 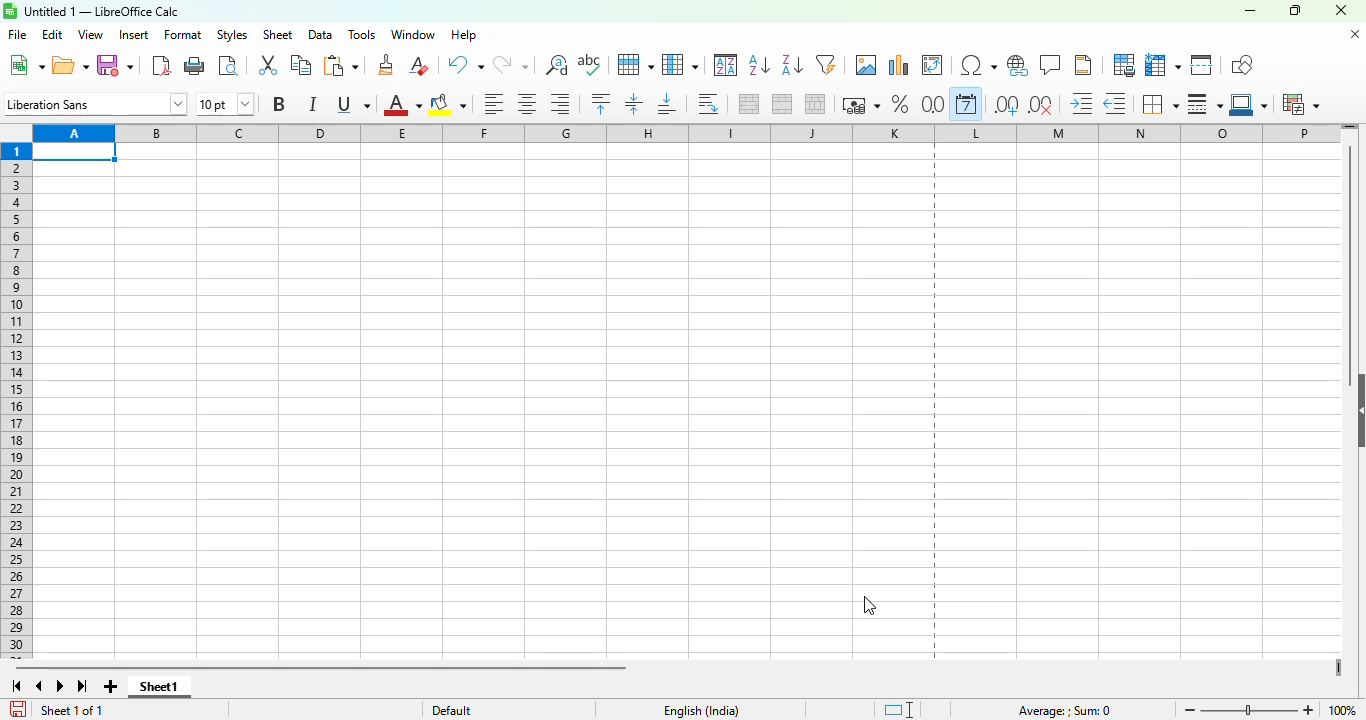 I want to click on logo, so click(x=10, y=11).